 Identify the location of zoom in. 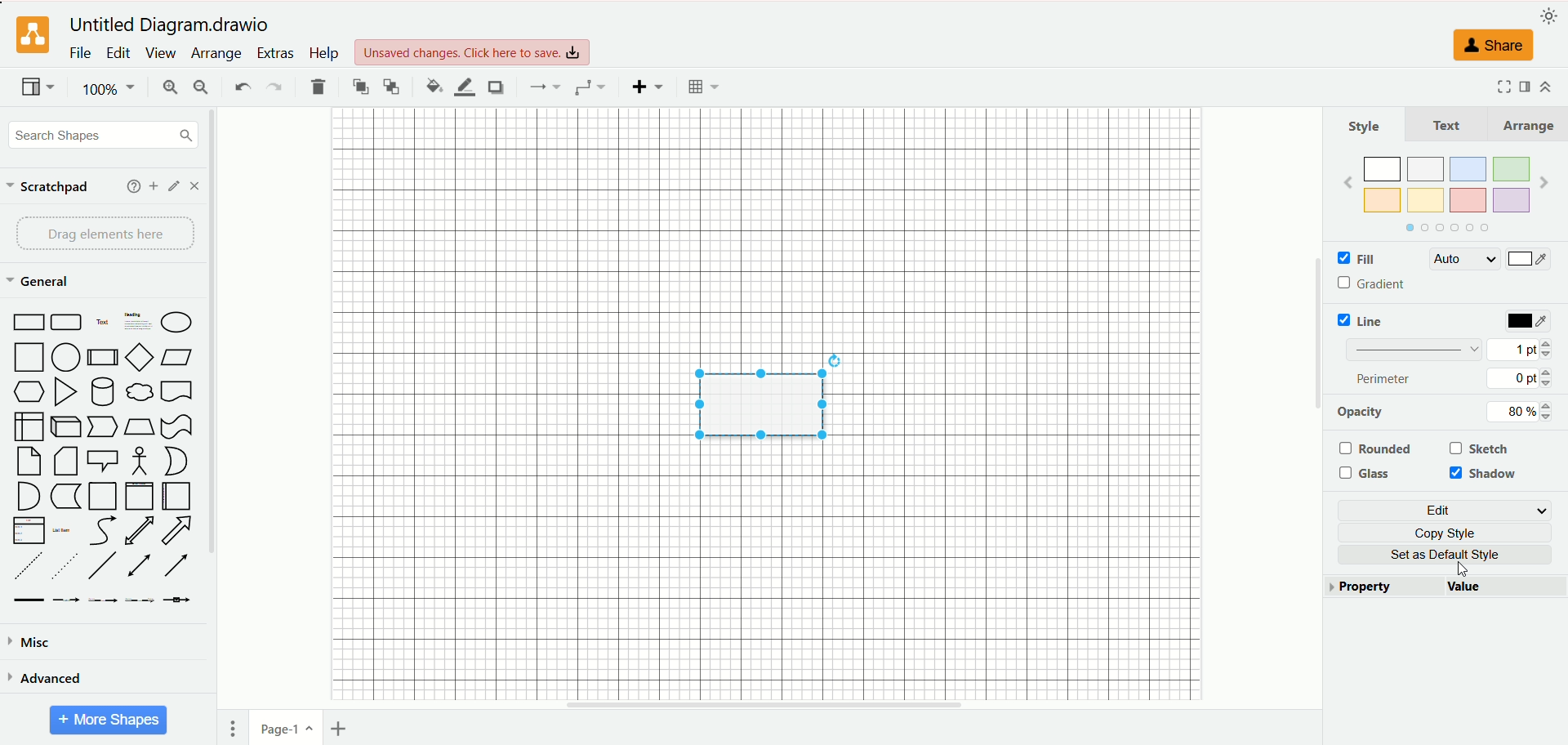
(167, 89).